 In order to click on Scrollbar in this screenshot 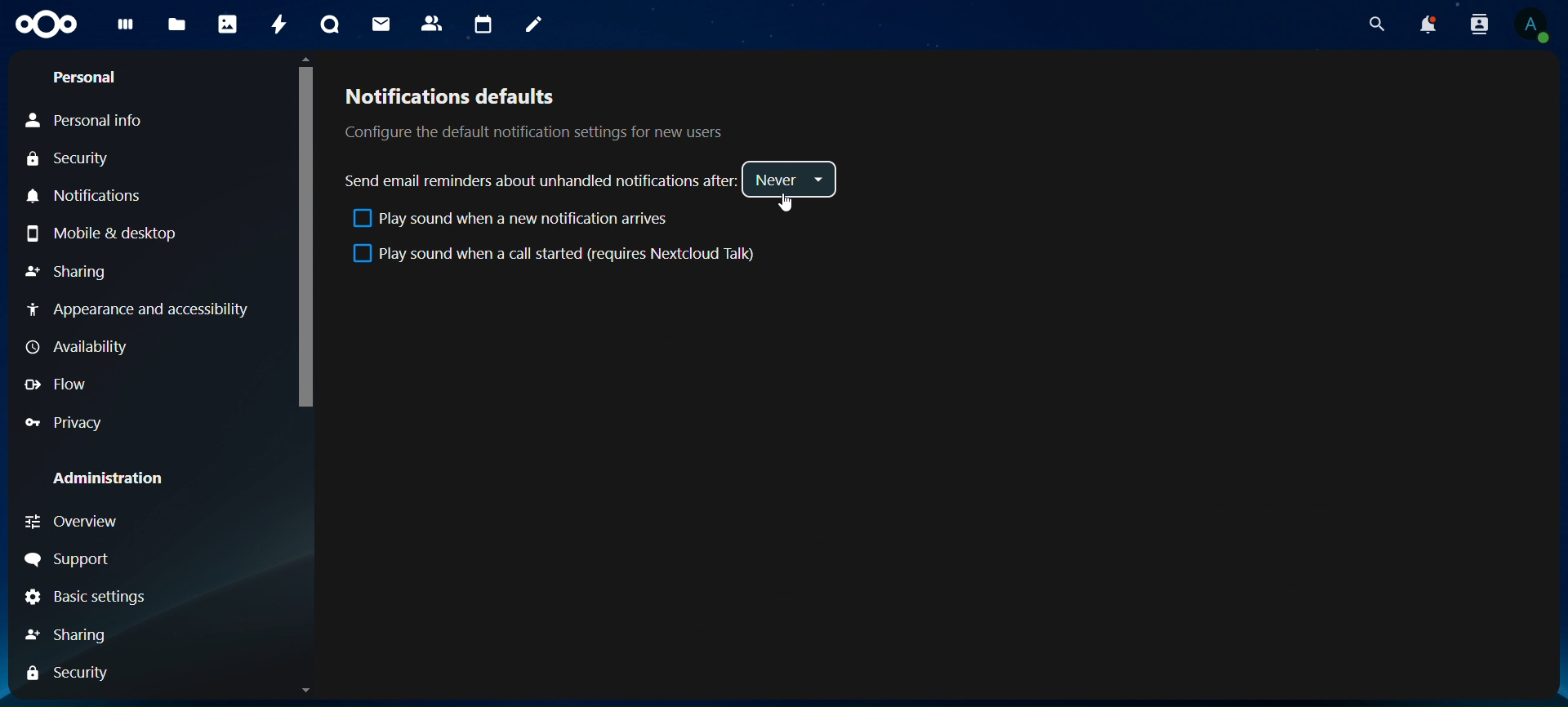, I will do `click(303, 375)`.